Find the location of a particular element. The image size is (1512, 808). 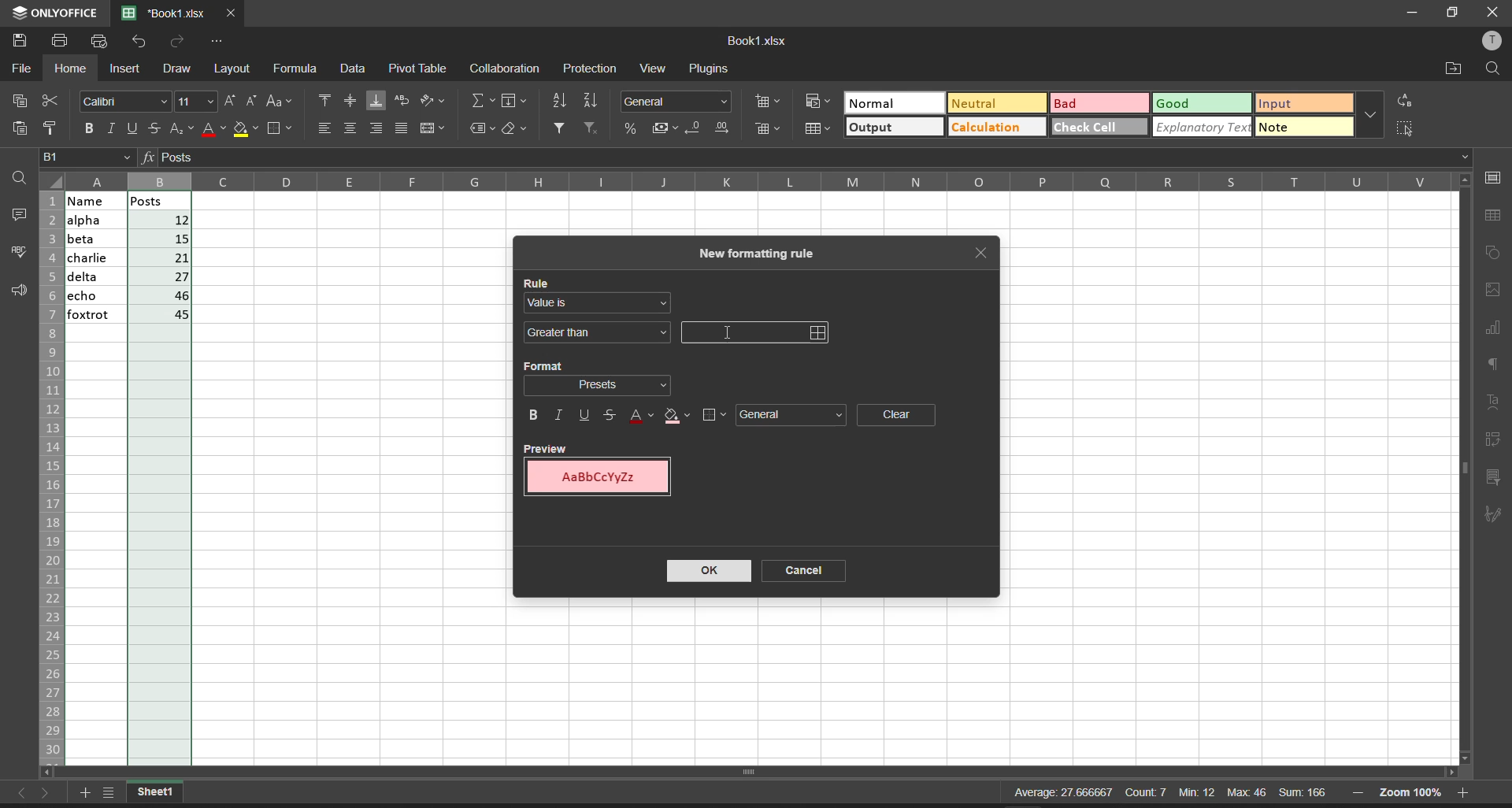

Good is located at coordinates (1176, 102).